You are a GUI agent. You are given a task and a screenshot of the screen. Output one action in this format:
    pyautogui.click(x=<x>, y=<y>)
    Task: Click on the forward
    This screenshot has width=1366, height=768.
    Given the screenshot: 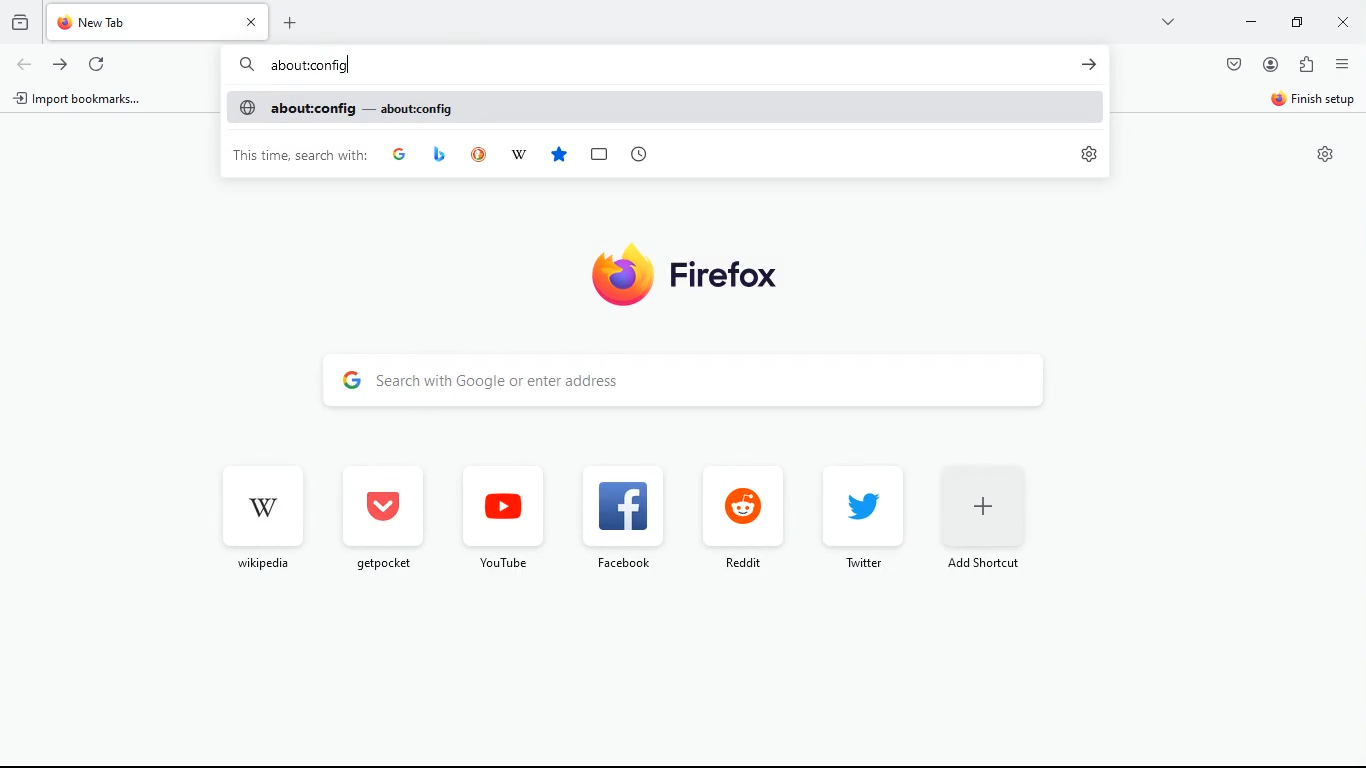 What is the action you would take?
    pyautogui.click(x=62, y=64)
    